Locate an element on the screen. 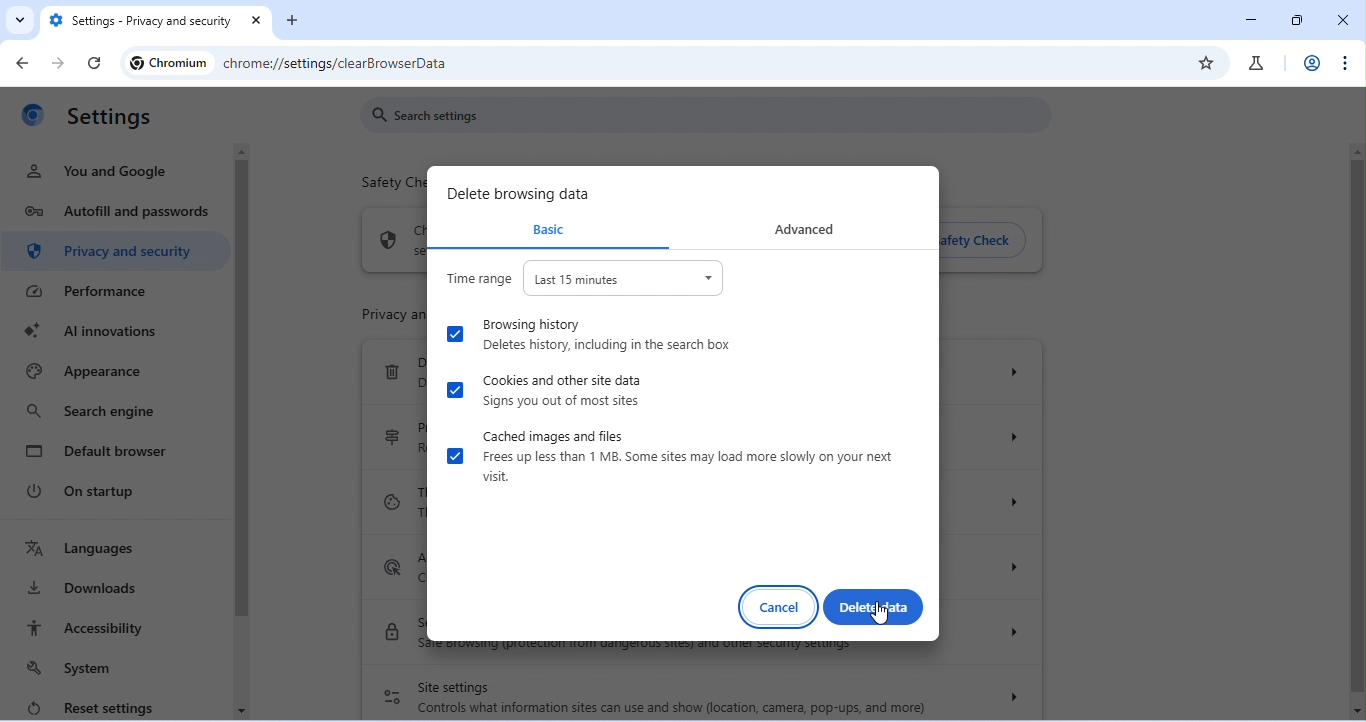  color change in go back is located at coordinates (26, 61).